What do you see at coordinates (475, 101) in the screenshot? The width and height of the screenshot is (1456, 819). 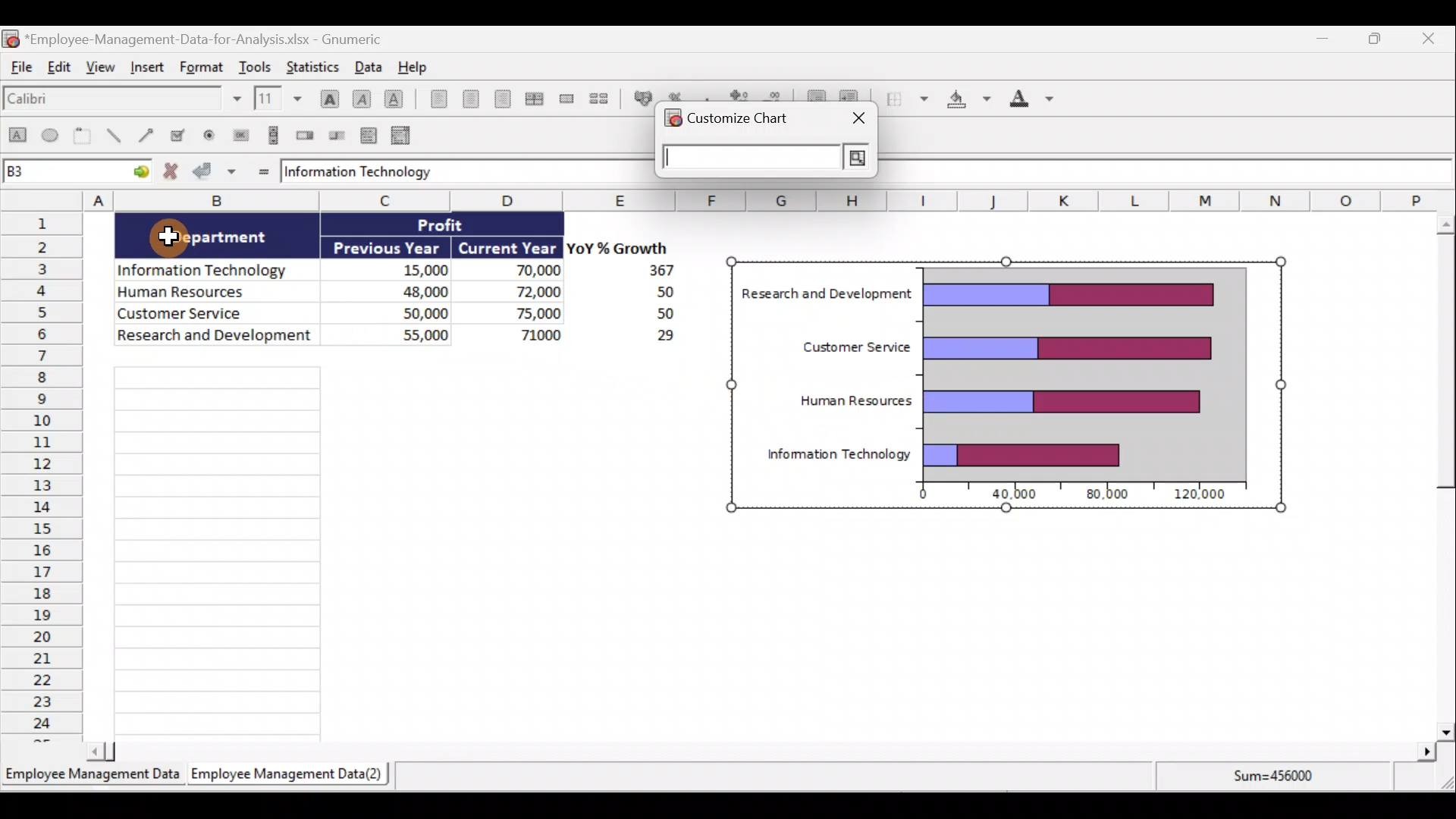 I see `Centre horizontally` at bounding box center [475, 101].